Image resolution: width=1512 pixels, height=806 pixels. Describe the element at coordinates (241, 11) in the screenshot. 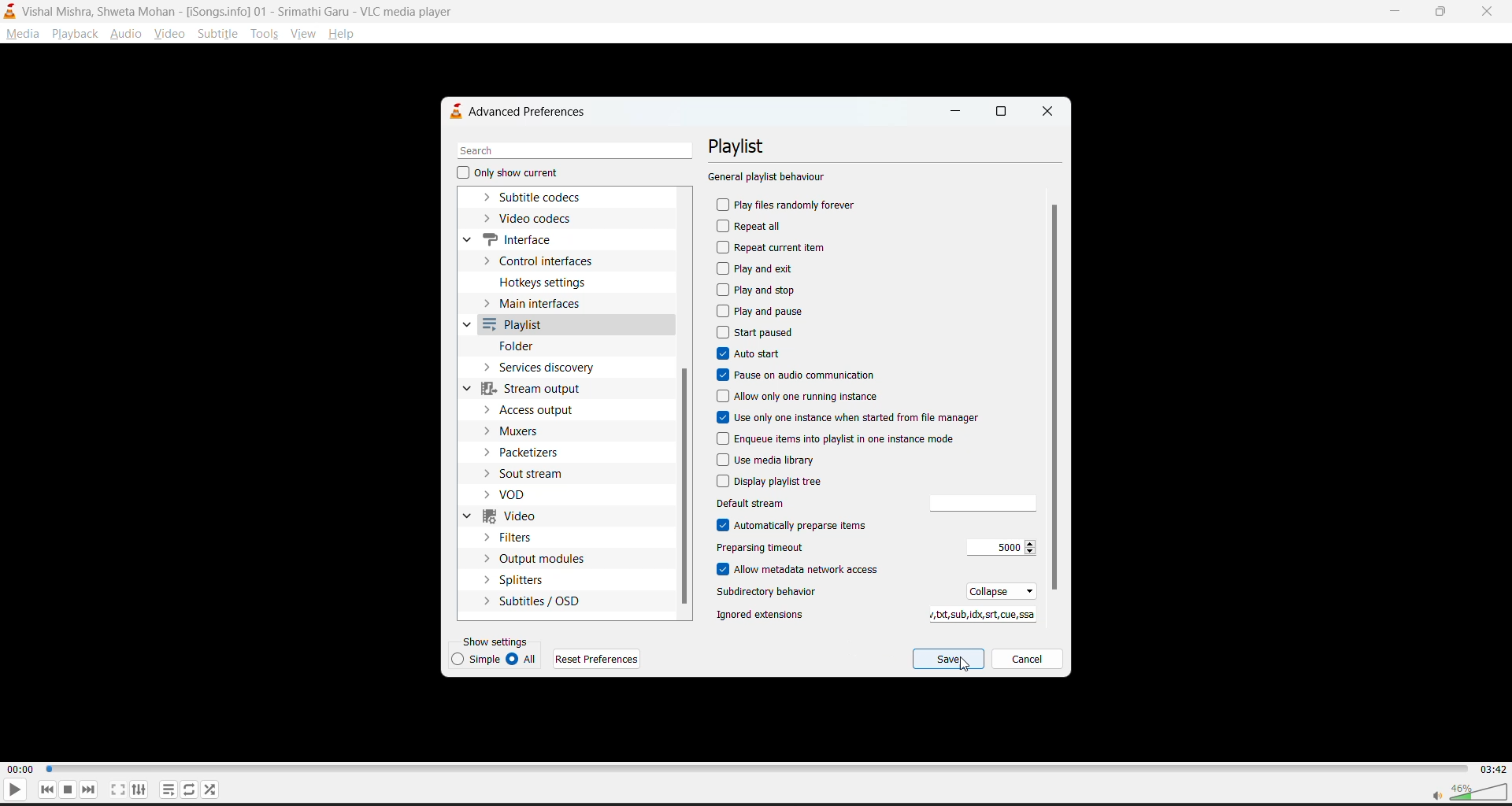

I see `Vishal Mishra, Shweta Mohan - [iSongs.ingo] - 01 - Srimathi Garu - VLC Player` at that location.